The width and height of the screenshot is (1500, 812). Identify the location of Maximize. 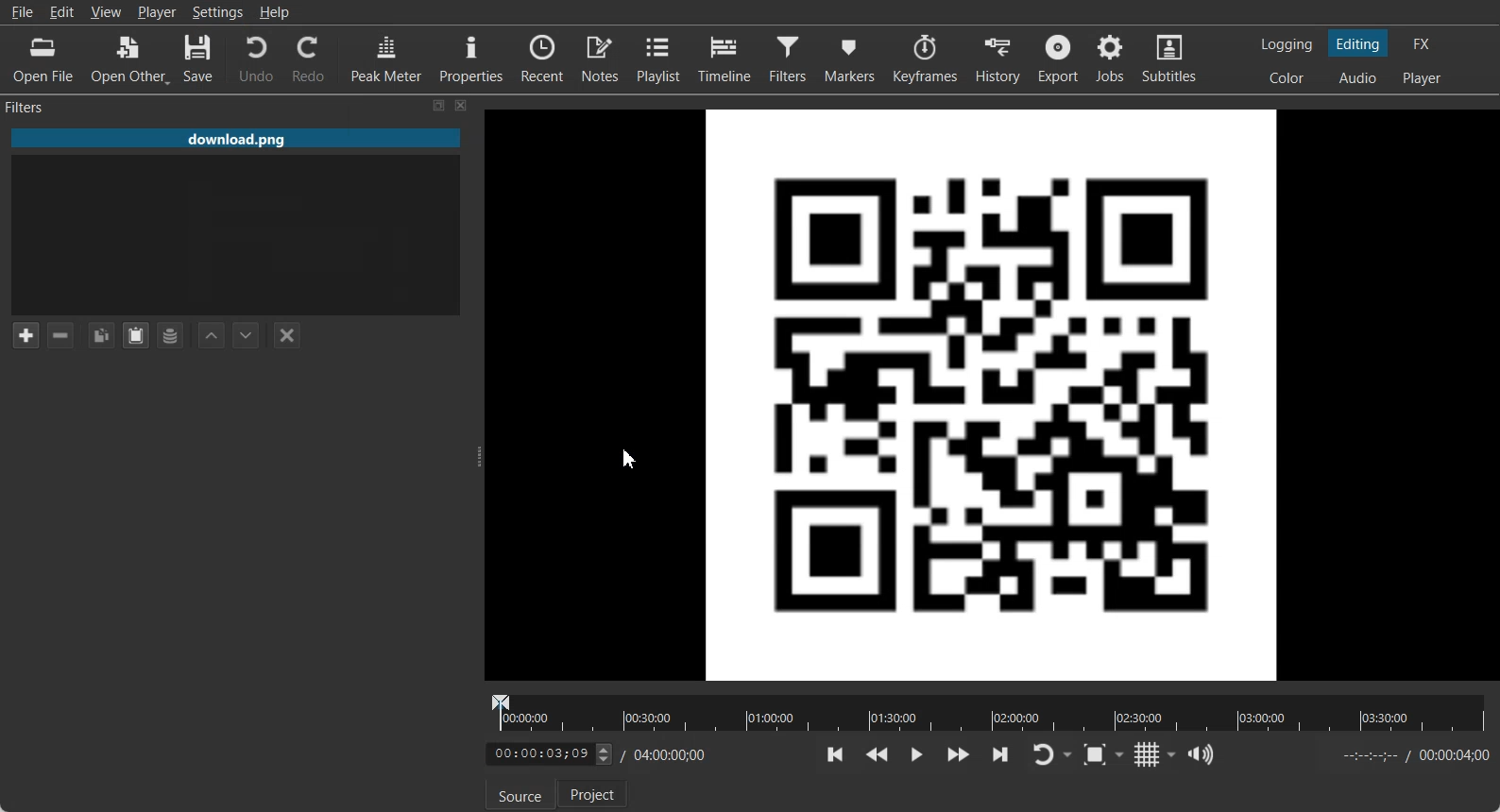
(439, 105).